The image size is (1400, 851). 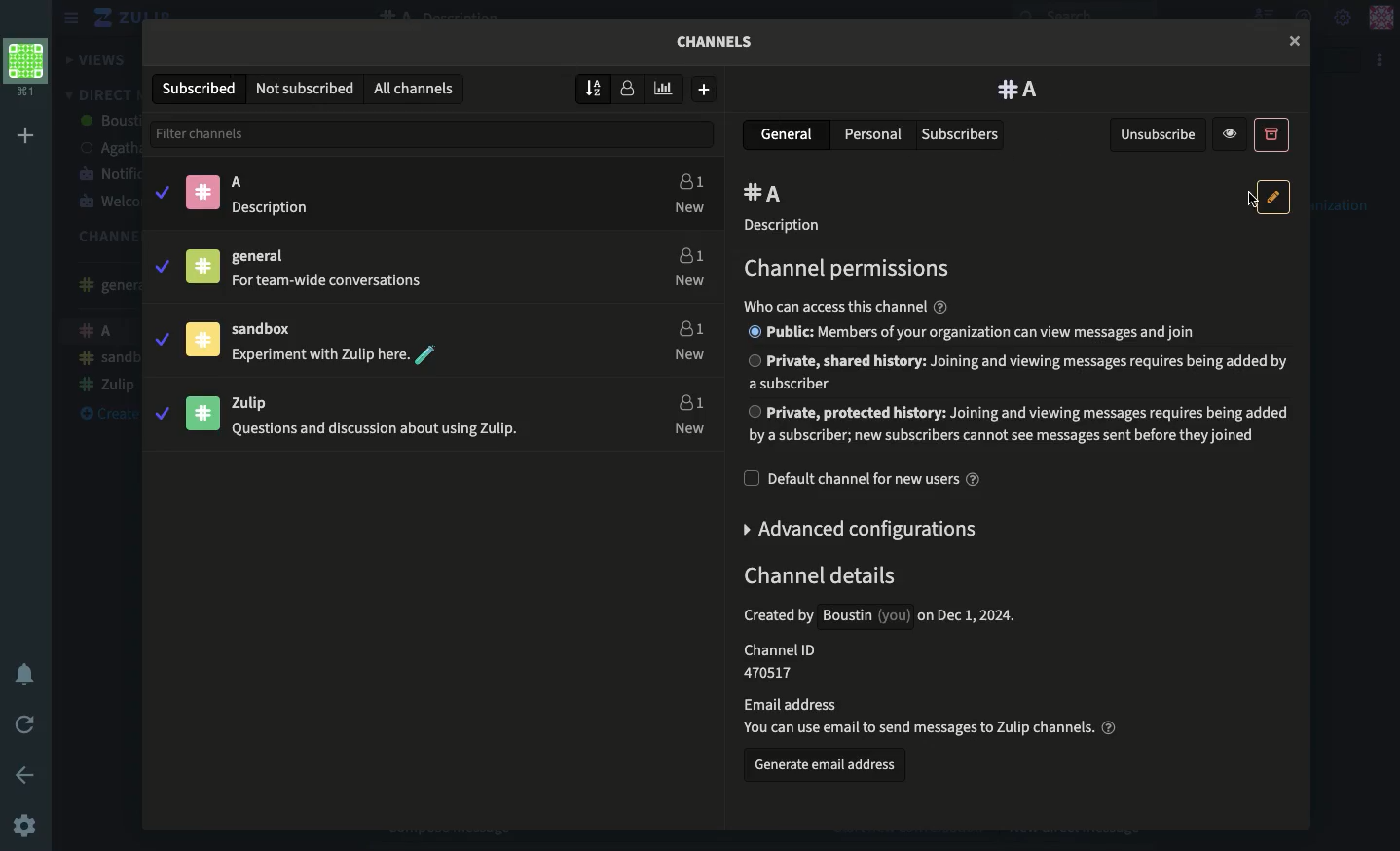 What do you see at coordinates (25, 676) in the screenshot?
I see `Notification` at bounding box center [25, 676].